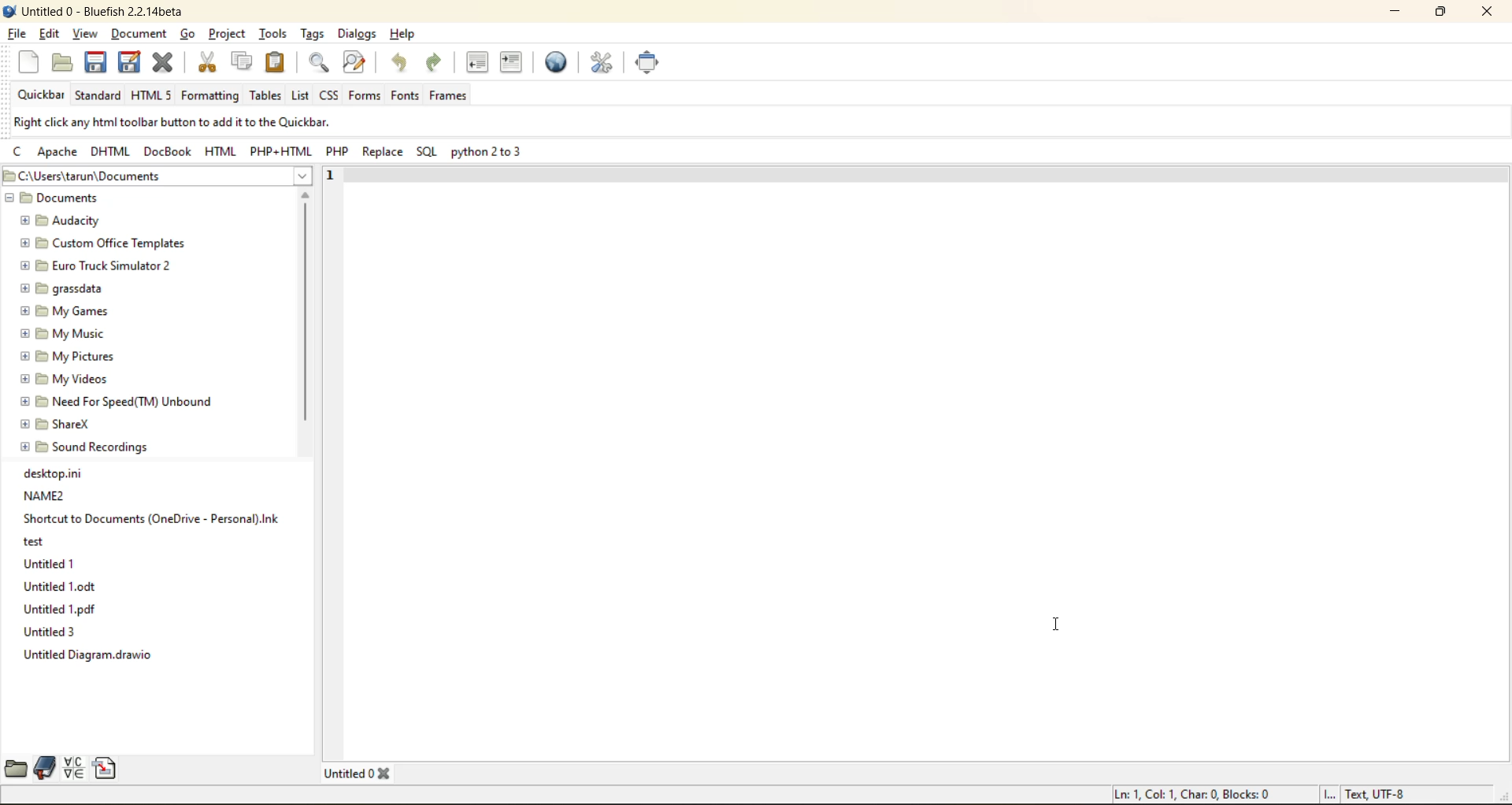 The image size is (1512, 805). What do you see at coordinates (242, 61) in the screenshot?
I see `copy` at bounding box center [242, 61].